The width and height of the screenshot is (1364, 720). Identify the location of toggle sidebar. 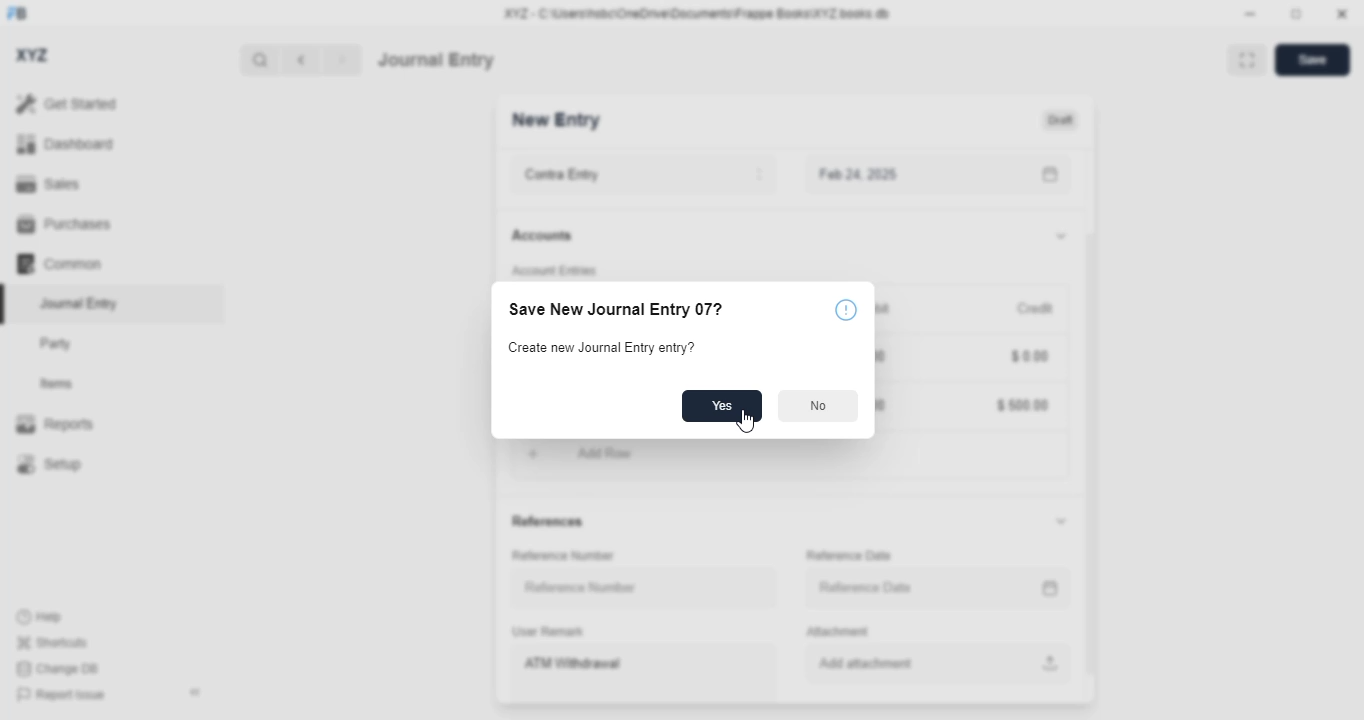
(197, 692).